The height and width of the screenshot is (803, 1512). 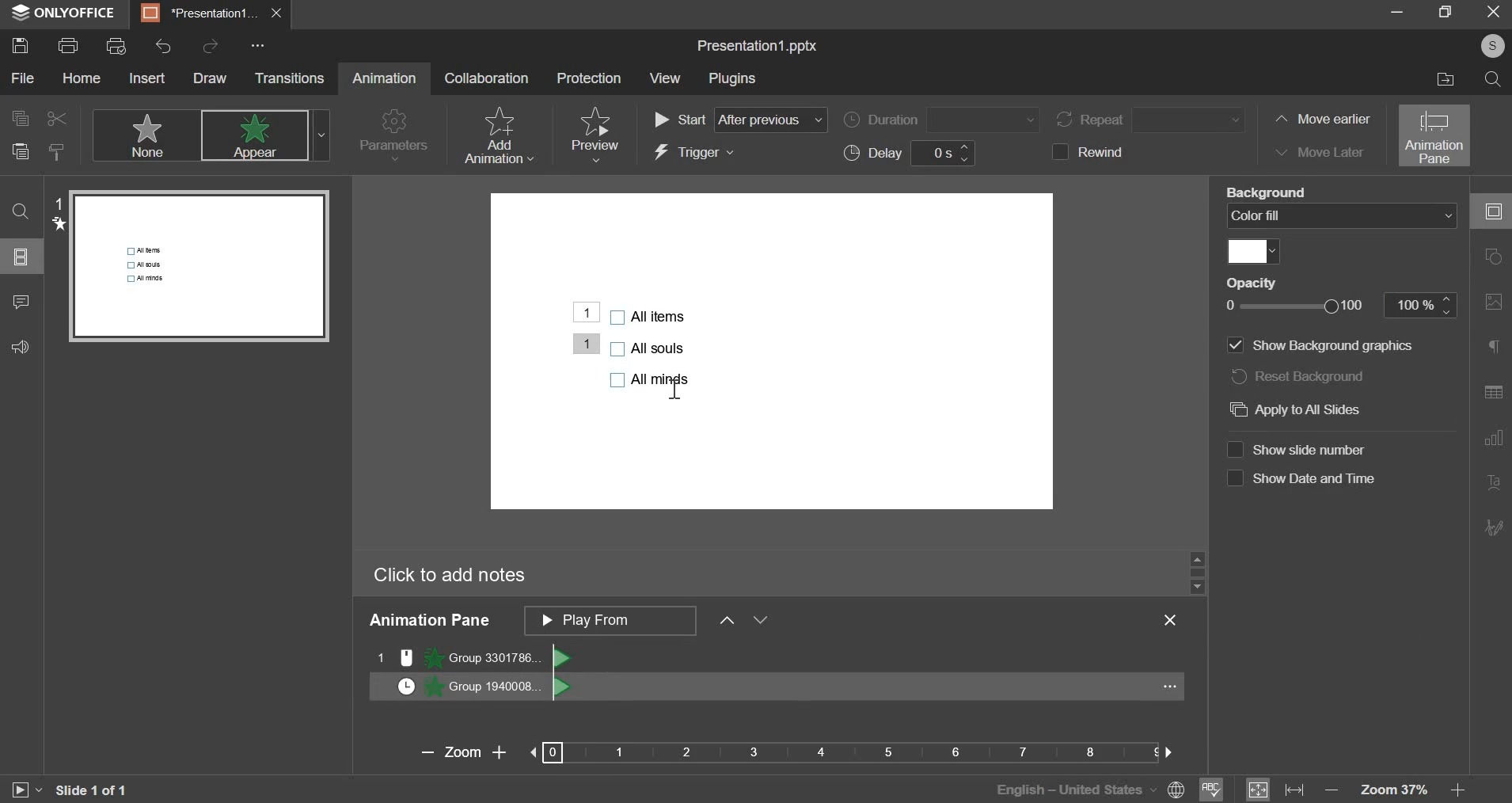 What do you see at coordinates (1493, 370) in the screenshot?
I see `right side bar` at bounding box center [1493, 370].